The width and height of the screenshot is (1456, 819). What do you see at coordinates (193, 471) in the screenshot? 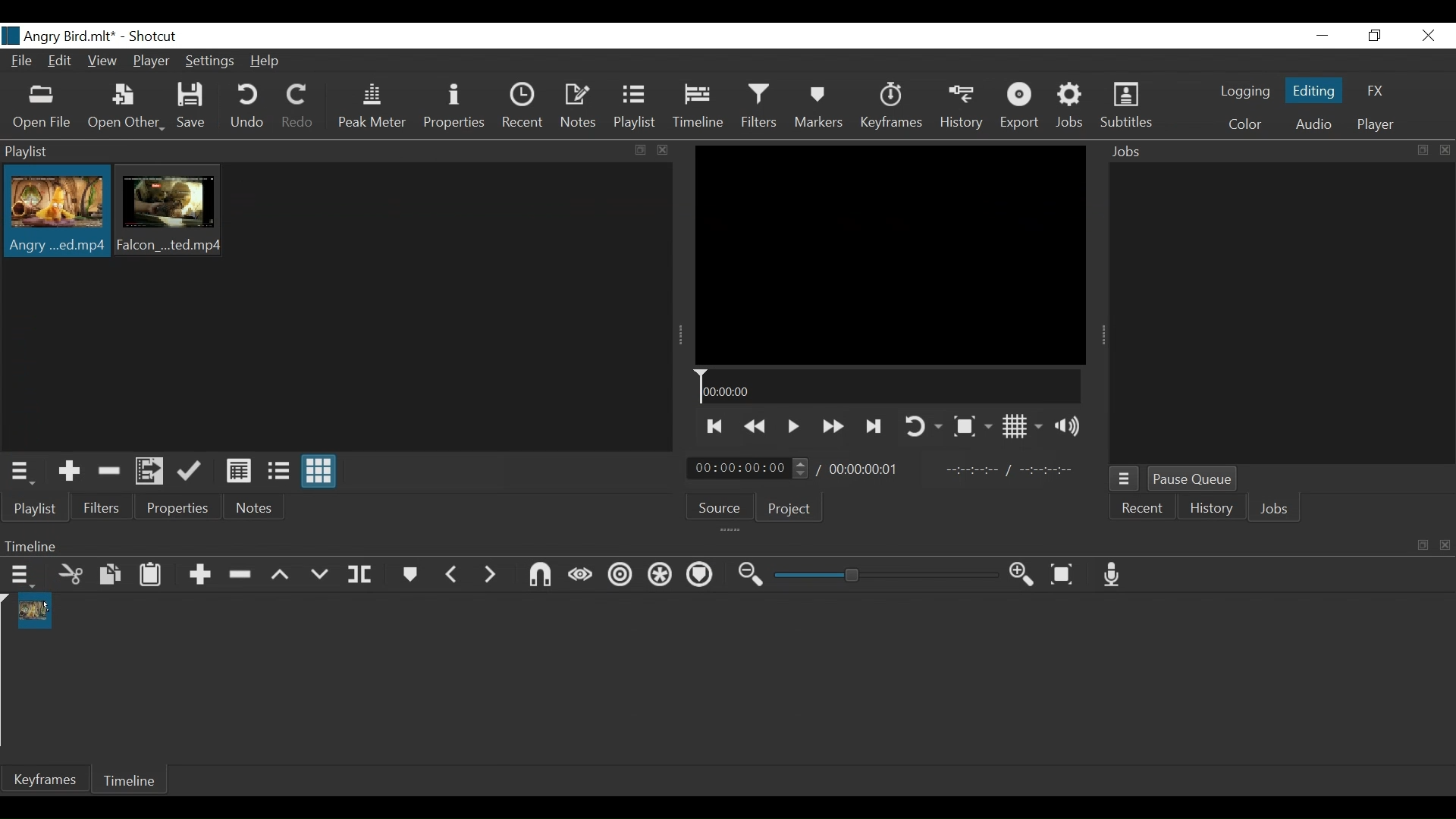
I see `Update` at bounding box center [193, 471].